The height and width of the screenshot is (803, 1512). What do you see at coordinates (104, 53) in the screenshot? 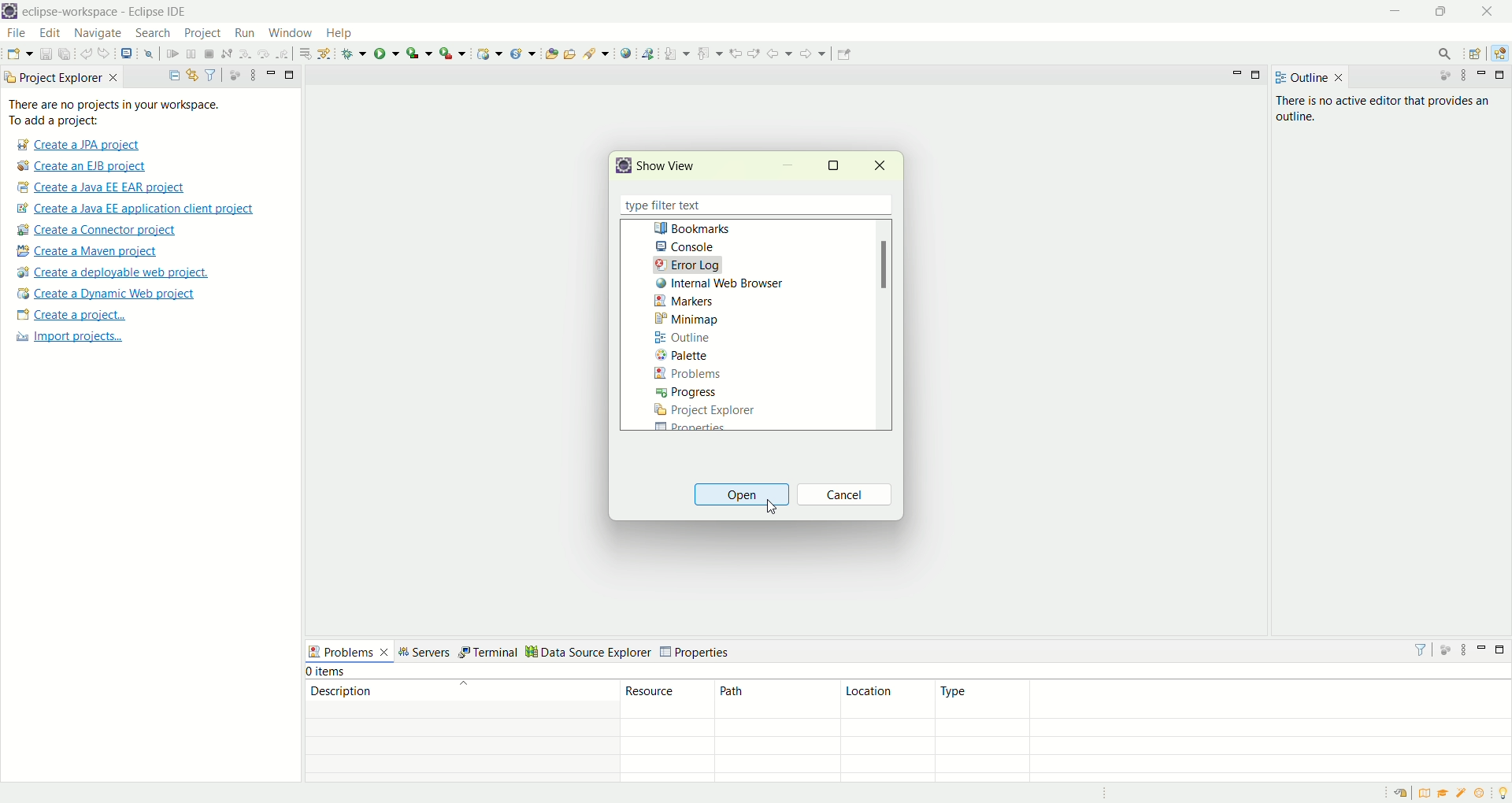
I see `redo` at bounding box center [104, 53].